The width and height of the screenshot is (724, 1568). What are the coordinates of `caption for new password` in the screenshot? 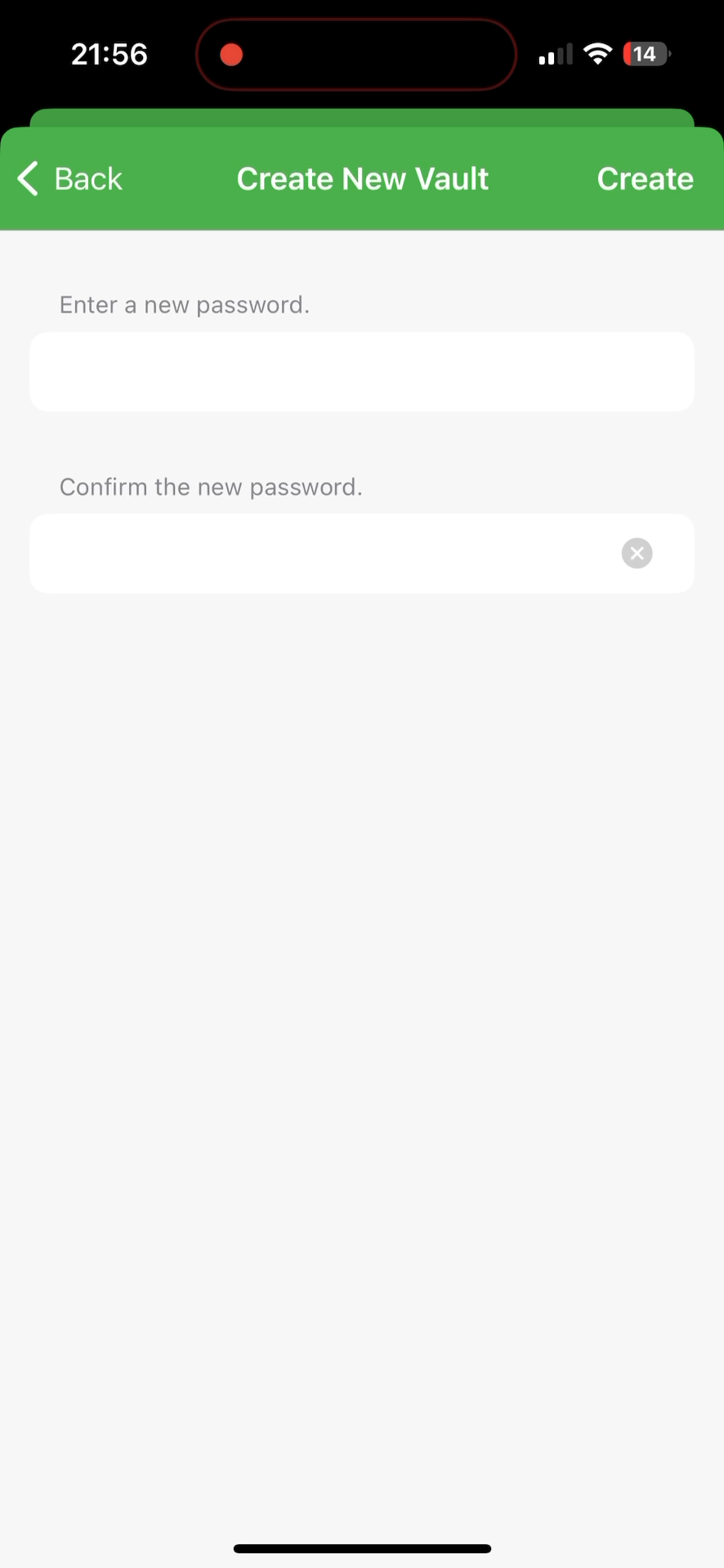 It's located at (321, 372).